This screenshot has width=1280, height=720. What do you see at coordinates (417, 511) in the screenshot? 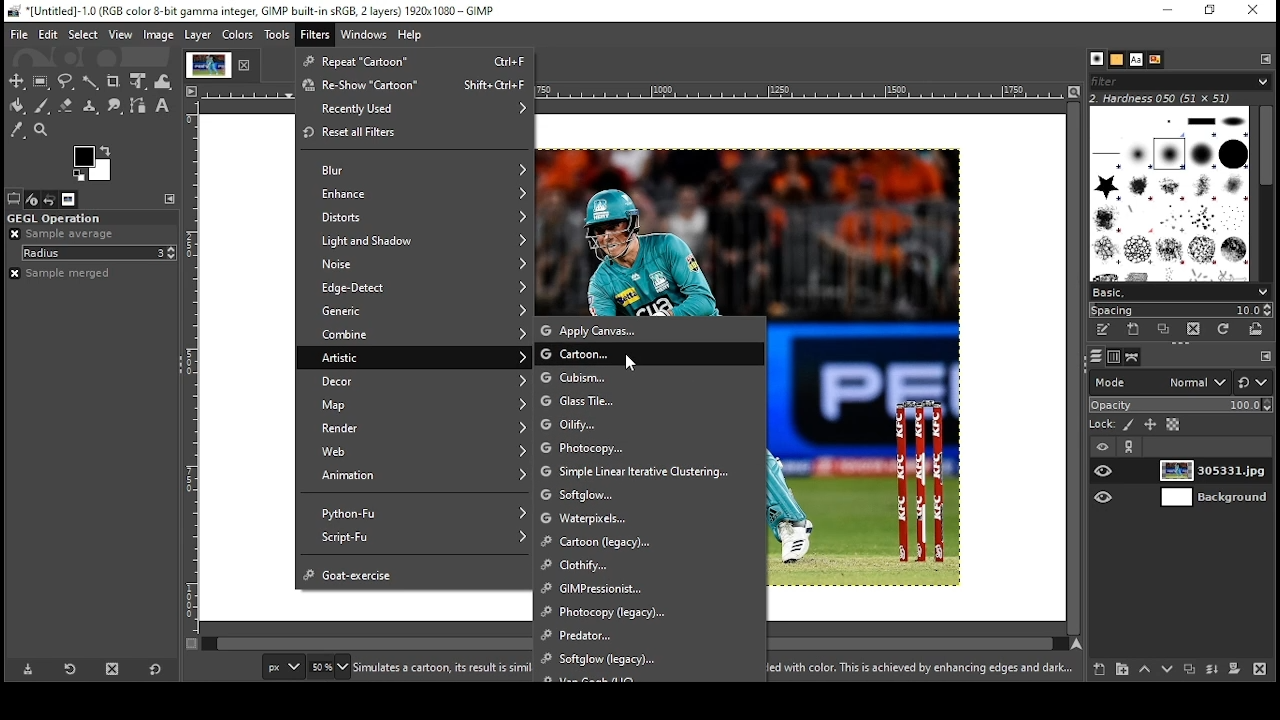
I see `python fu` at bounding box center [417, 511].